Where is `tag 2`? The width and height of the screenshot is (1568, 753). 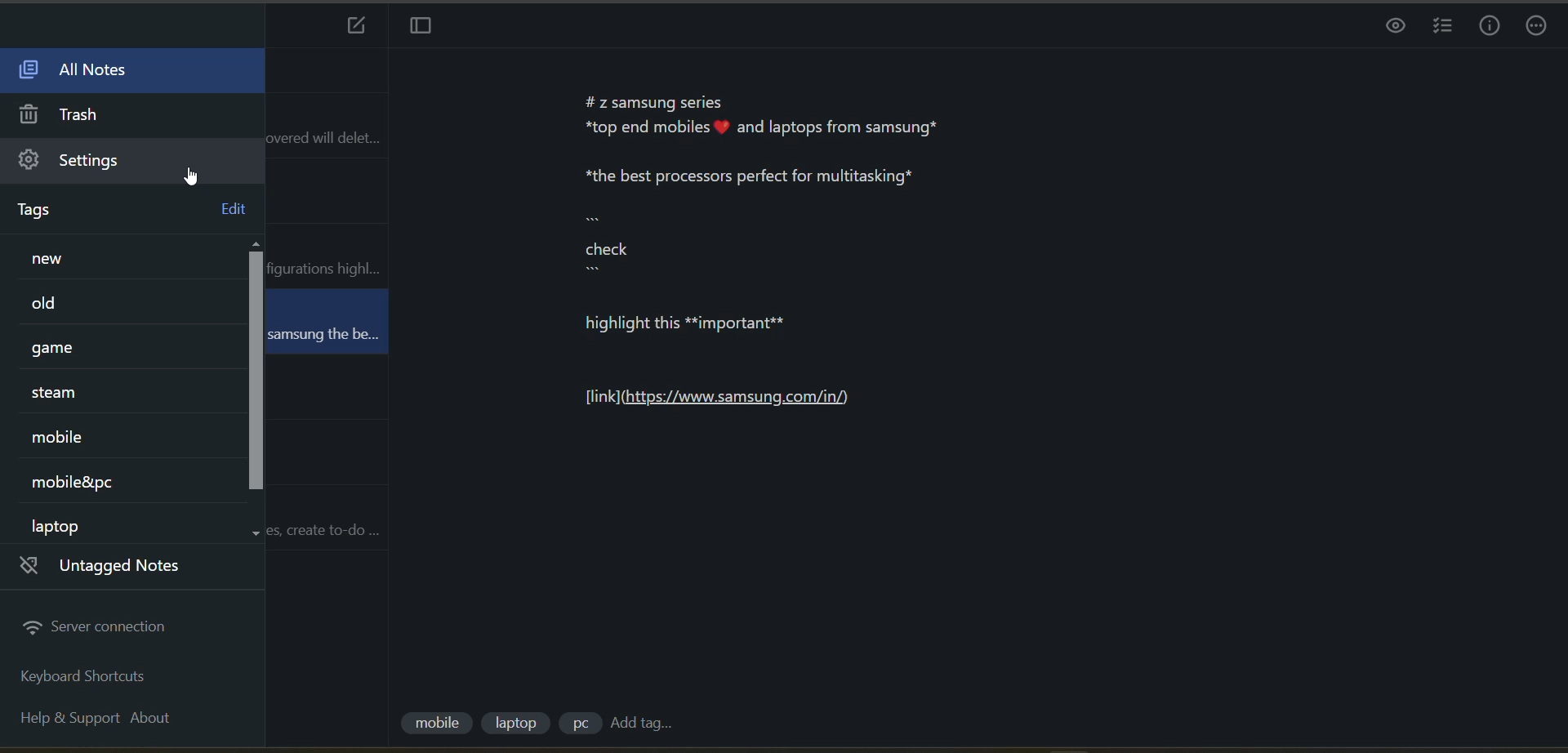 tag 2 is located at coordinates (63, 305).